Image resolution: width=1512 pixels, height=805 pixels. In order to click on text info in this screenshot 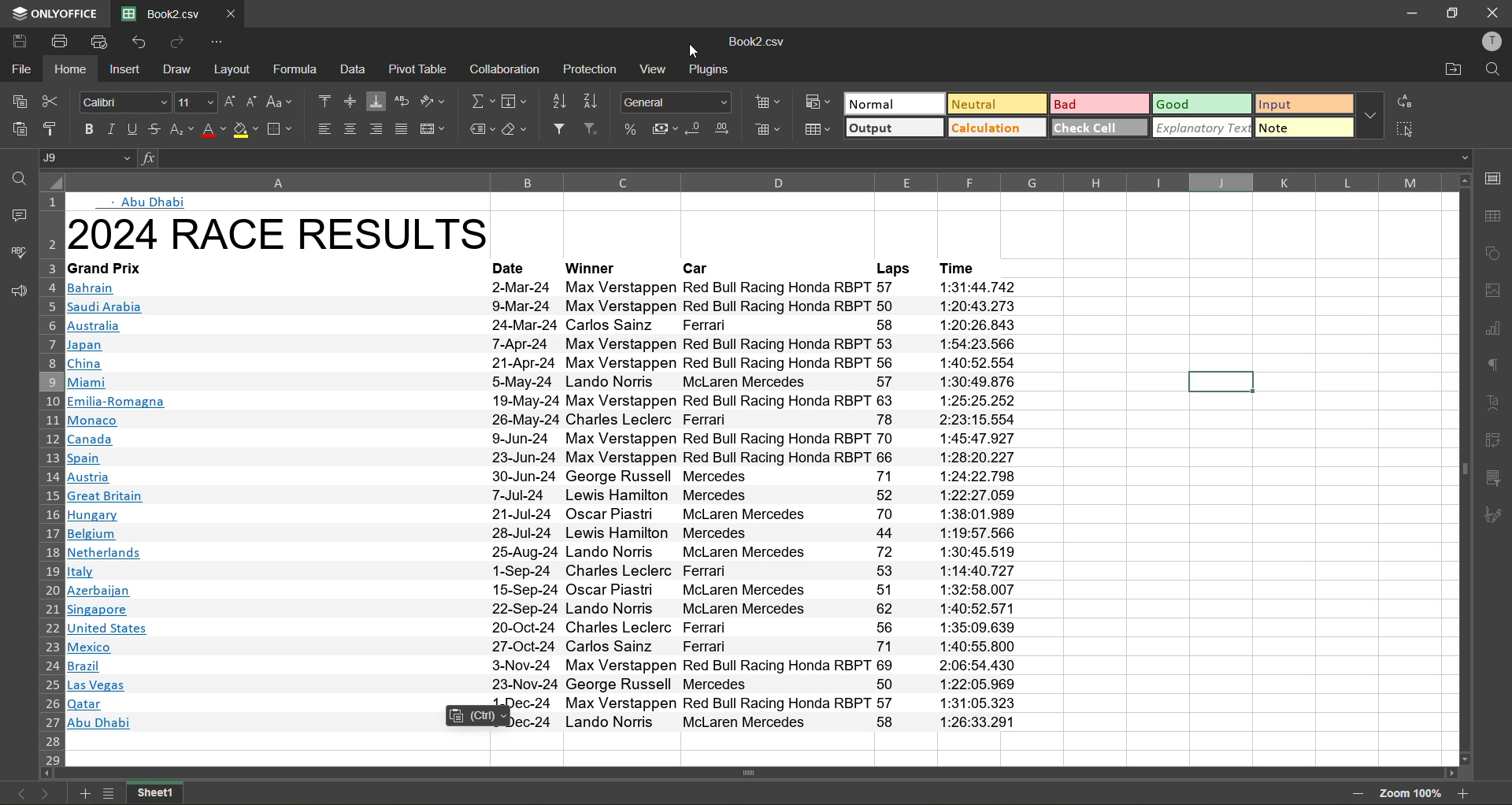, I will do `click(552, 684)`.